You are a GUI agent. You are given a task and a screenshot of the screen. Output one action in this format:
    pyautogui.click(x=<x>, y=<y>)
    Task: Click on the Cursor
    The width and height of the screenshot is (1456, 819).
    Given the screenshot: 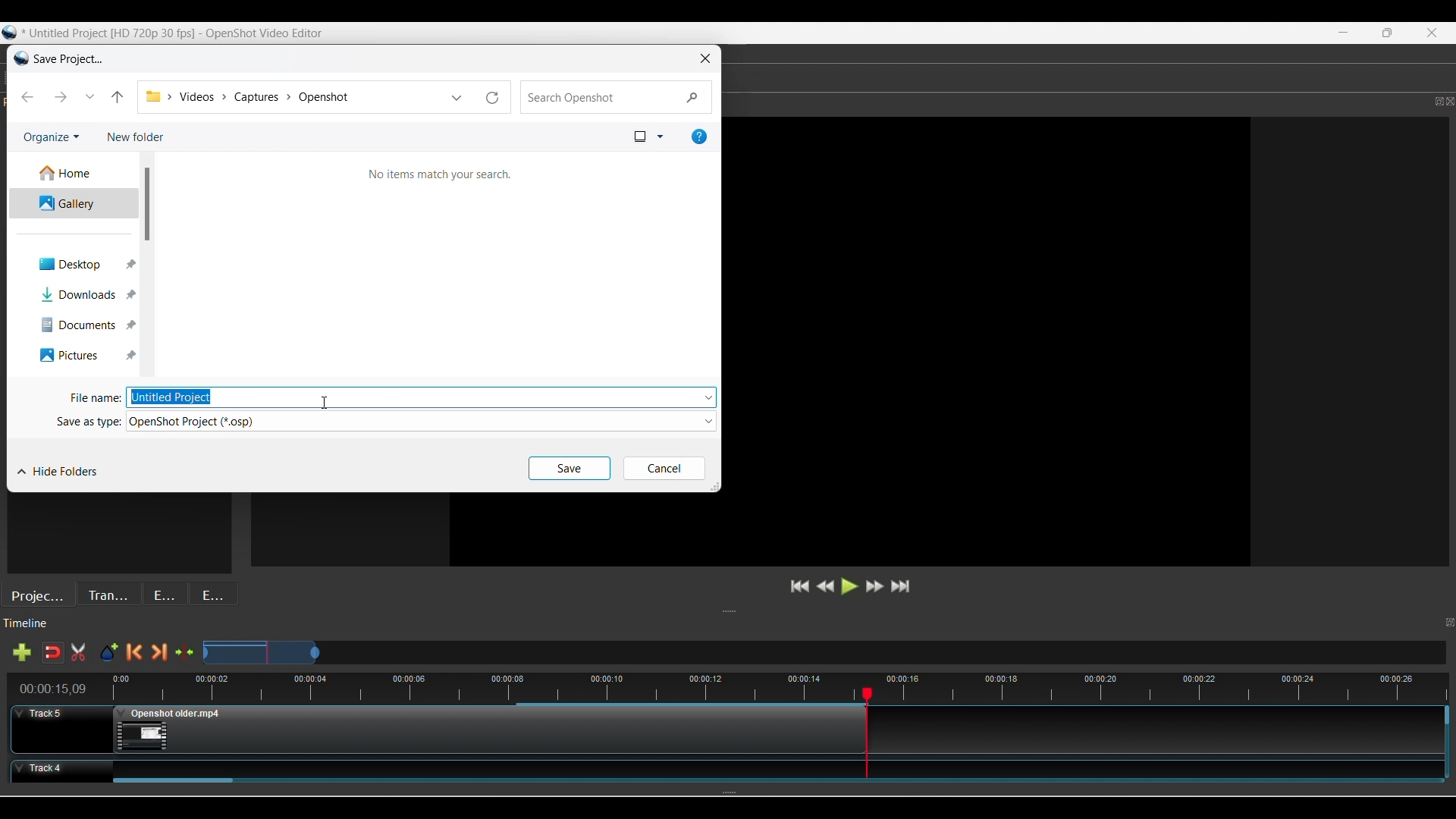 What is the action you would take?
    pyautogui.click(x=327, y=403)
    